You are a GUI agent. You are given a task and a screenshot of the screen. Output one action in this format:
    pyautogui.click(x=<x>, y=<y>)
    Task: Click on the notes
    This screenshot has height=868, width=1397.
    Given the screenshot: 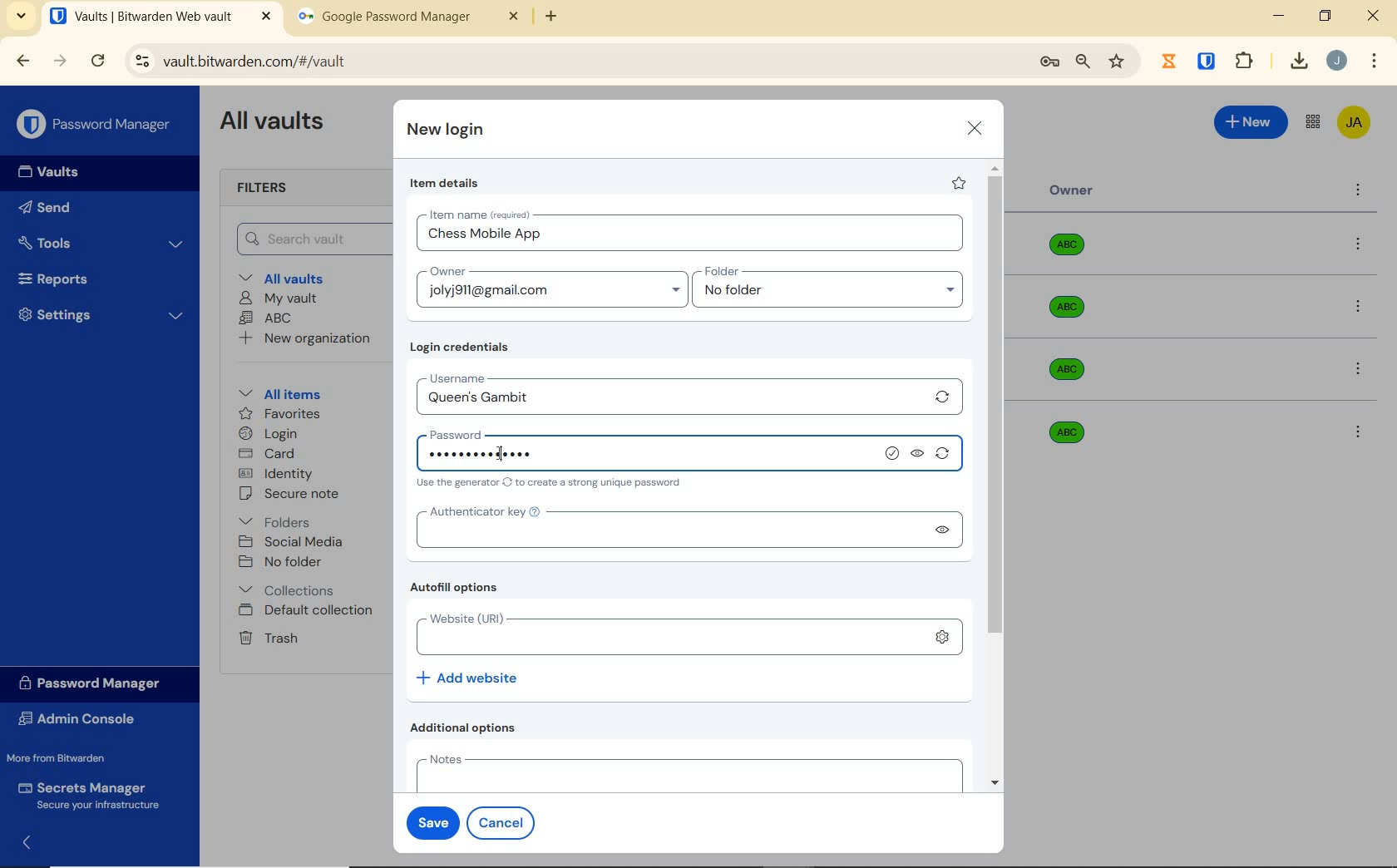 What is the action you would take?
    pyautogui.click(x=685, y=772)
    